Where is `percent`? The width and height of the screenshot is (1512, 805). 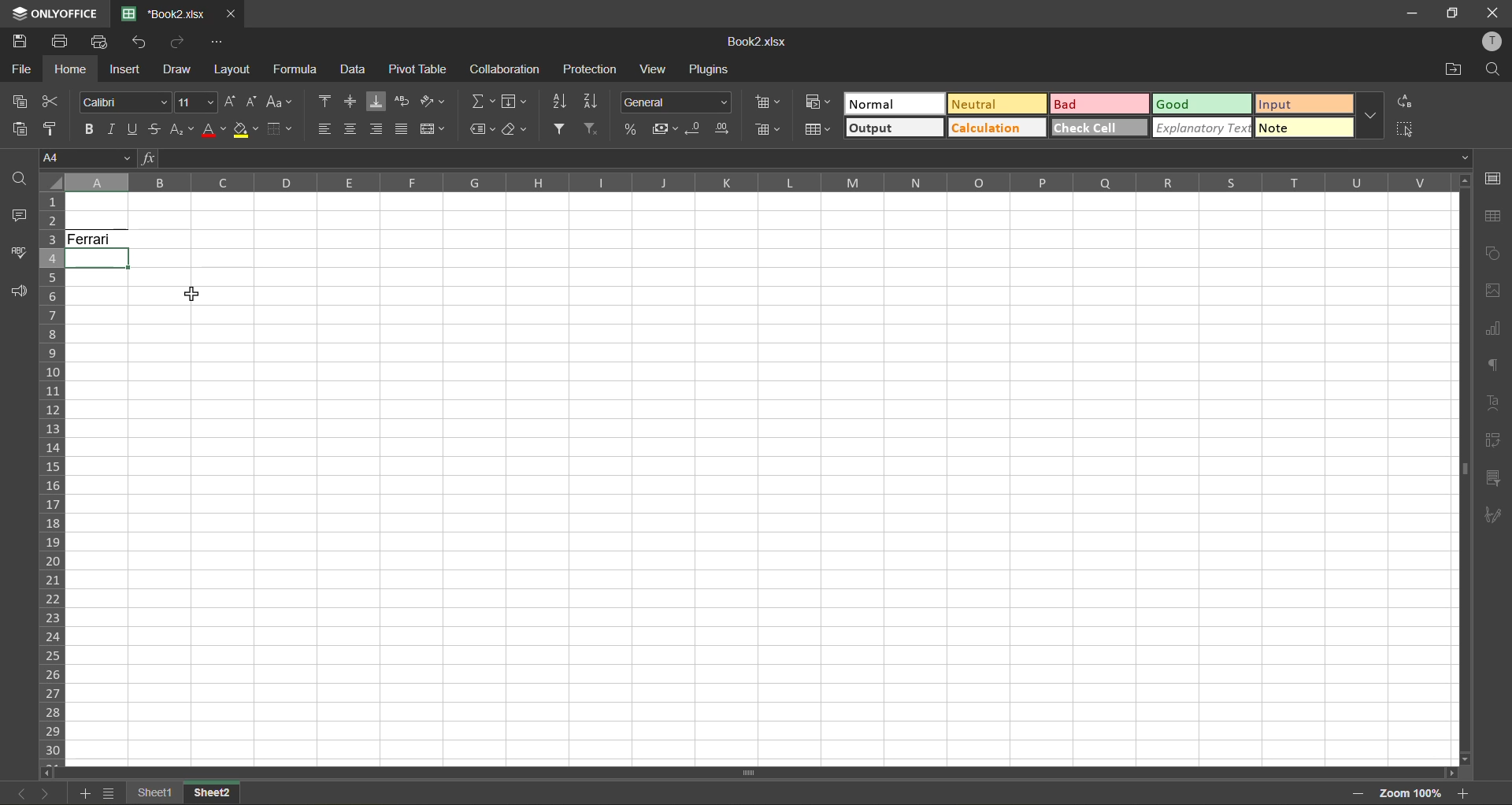 percent is located at coordinates (632, 128).